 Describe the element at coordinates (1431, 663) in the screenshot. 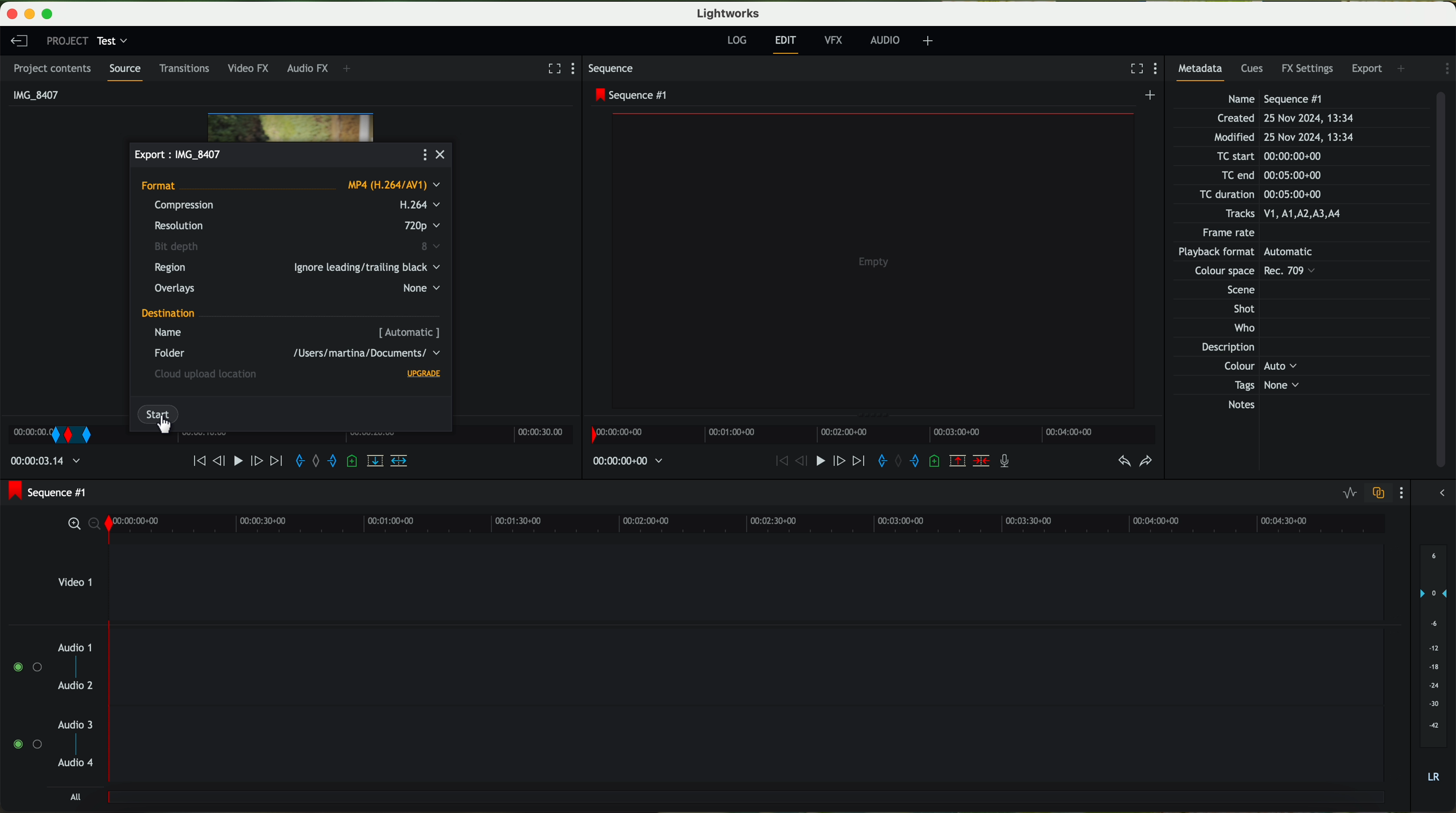

I see `audio output level (dB)` at that location.